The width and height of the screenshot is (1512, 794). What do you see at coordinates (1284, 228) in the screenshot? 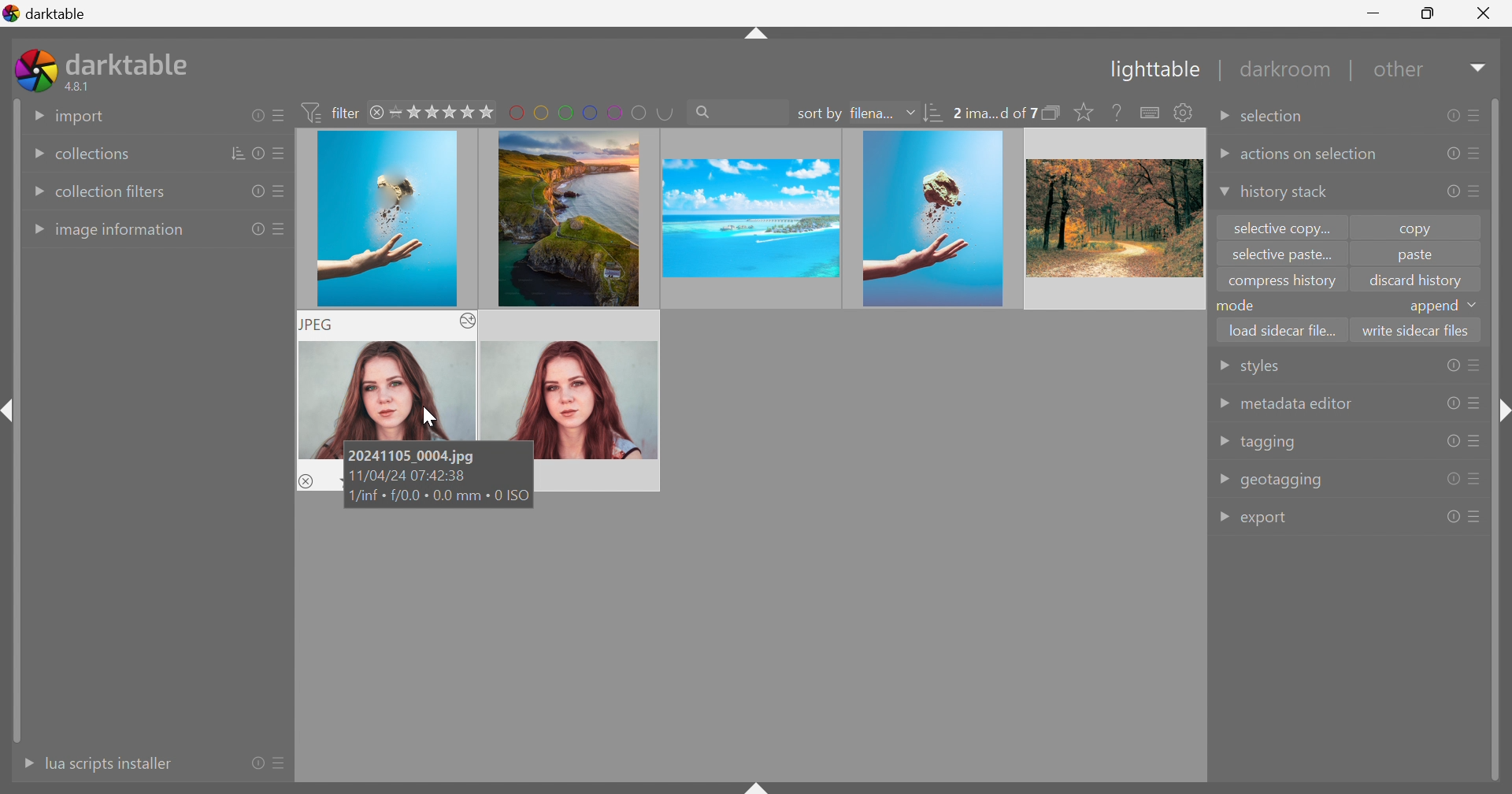
I see `selective copy...` at bounding box center [1284, 228].